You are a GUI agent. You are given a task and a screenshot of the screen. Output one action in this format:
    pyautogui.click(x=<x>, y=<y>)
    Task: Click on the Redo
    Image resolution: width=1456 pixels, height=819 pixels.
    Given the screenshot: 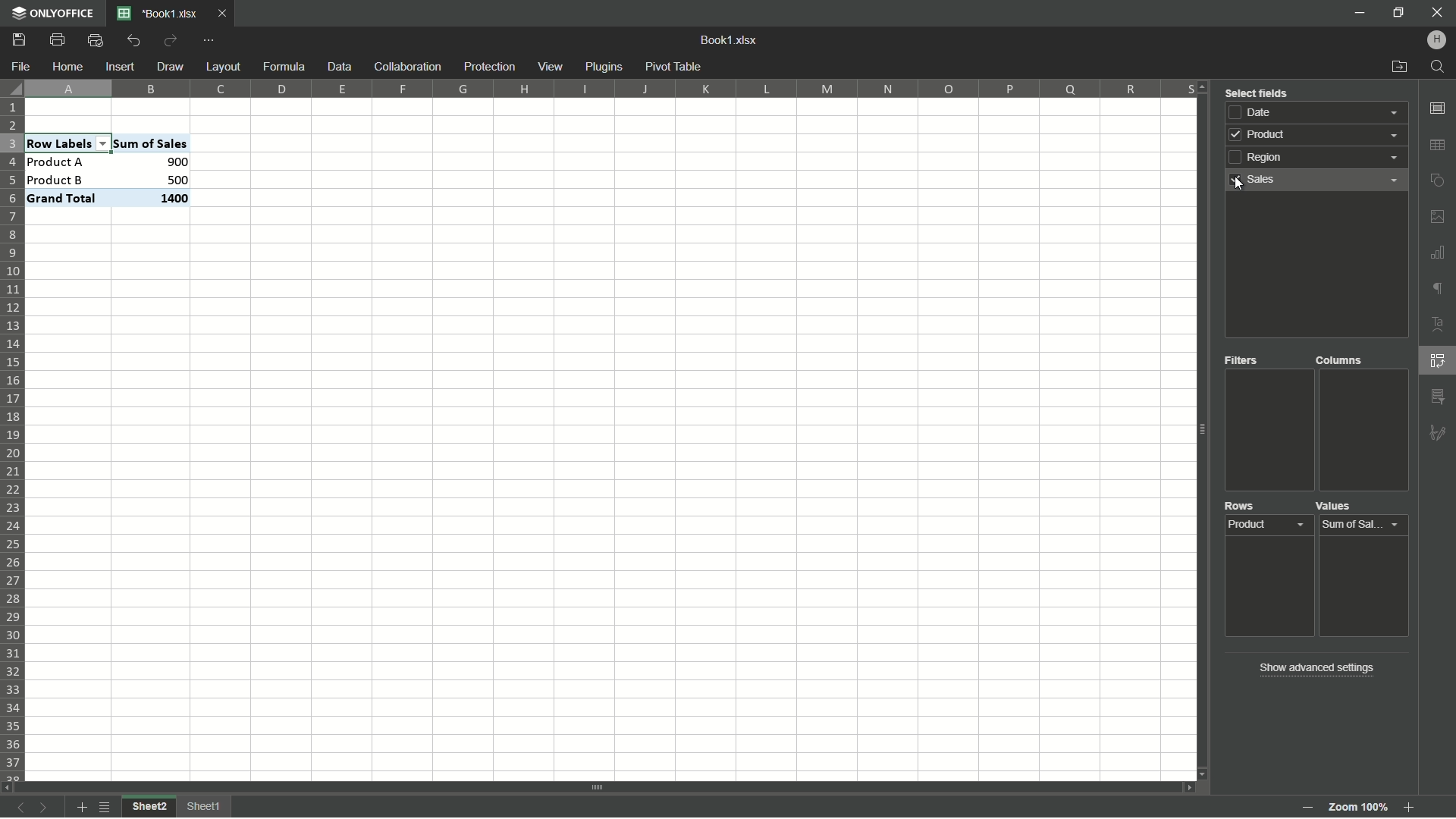 What is the action you would take?
    pyautogui.click(x=171, y=39)
    